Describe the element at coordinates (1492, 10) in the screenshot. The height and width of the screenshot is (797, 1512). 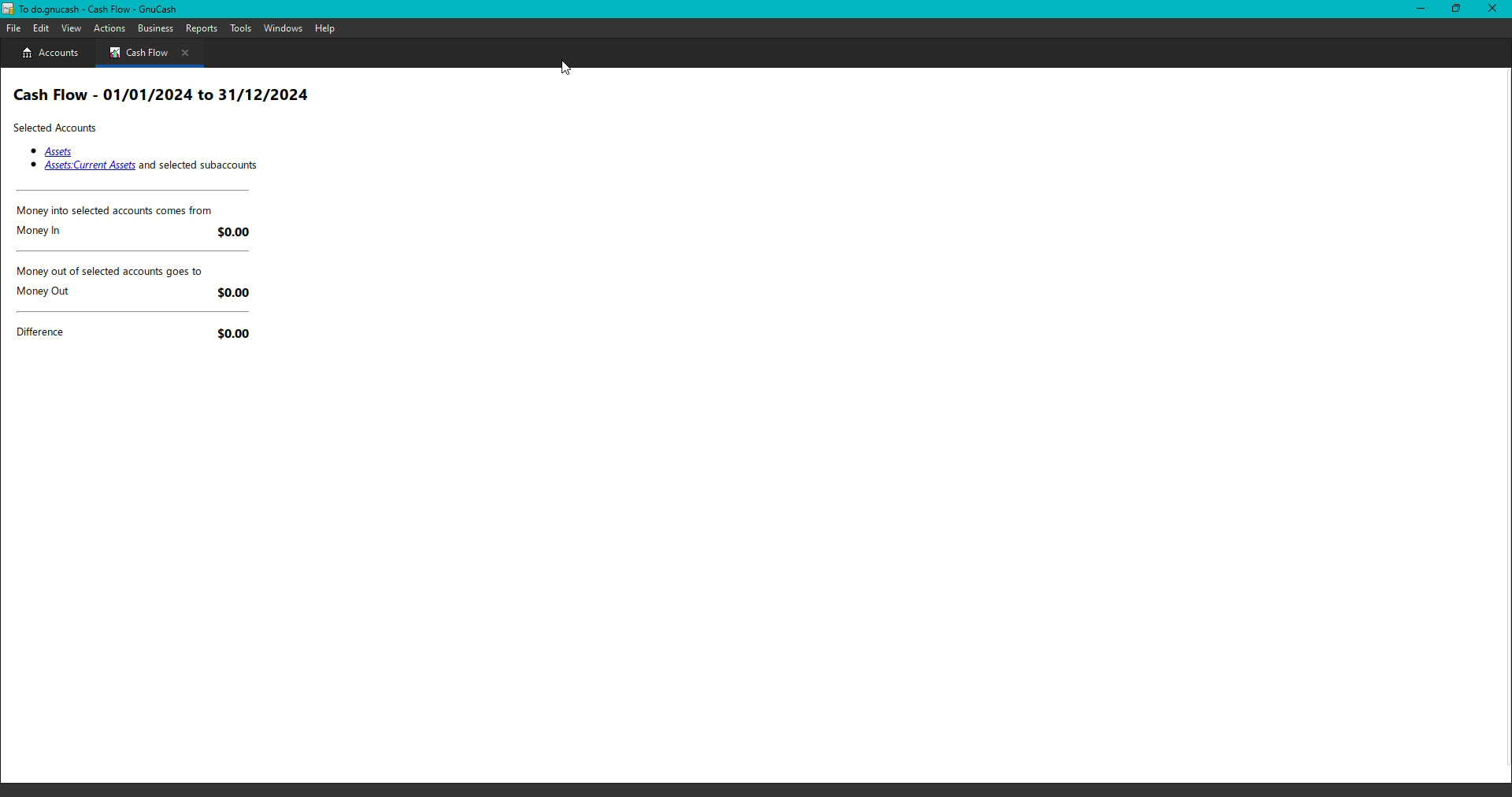
I see `Close` at that location.